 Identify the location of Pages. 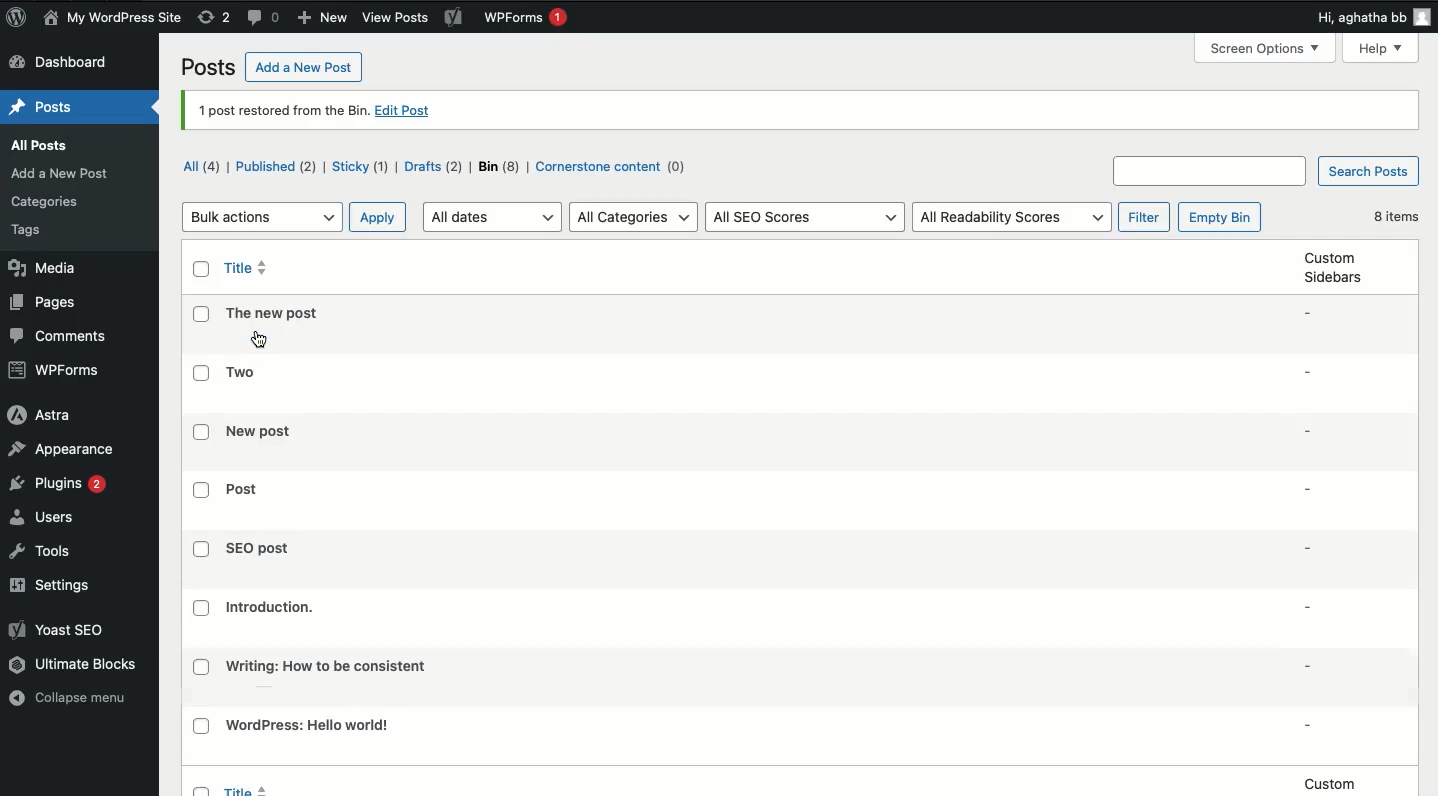
(42, 304).